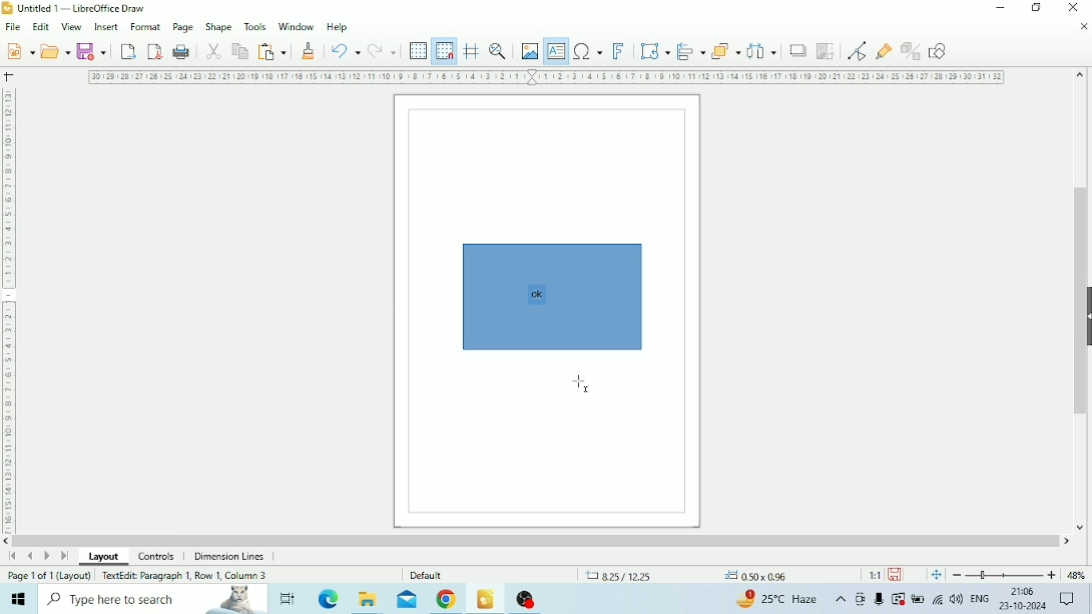 The width and height of the screenshot is (1092, 614). What do you see at coordinates (860, 599) in the screenshot?
I see `Meet Now` at bounding box center [860, 599].